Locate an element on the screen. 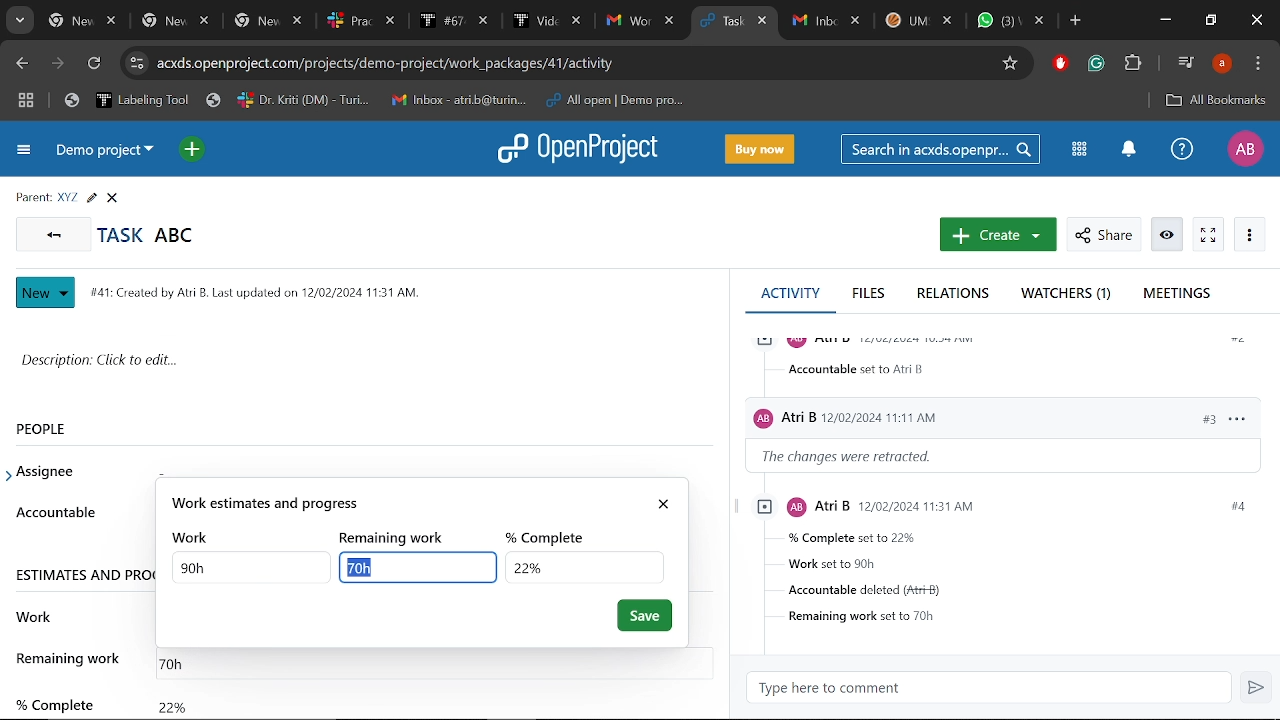 The image size is (1280, 720). close is located at coordinates (667, 500).